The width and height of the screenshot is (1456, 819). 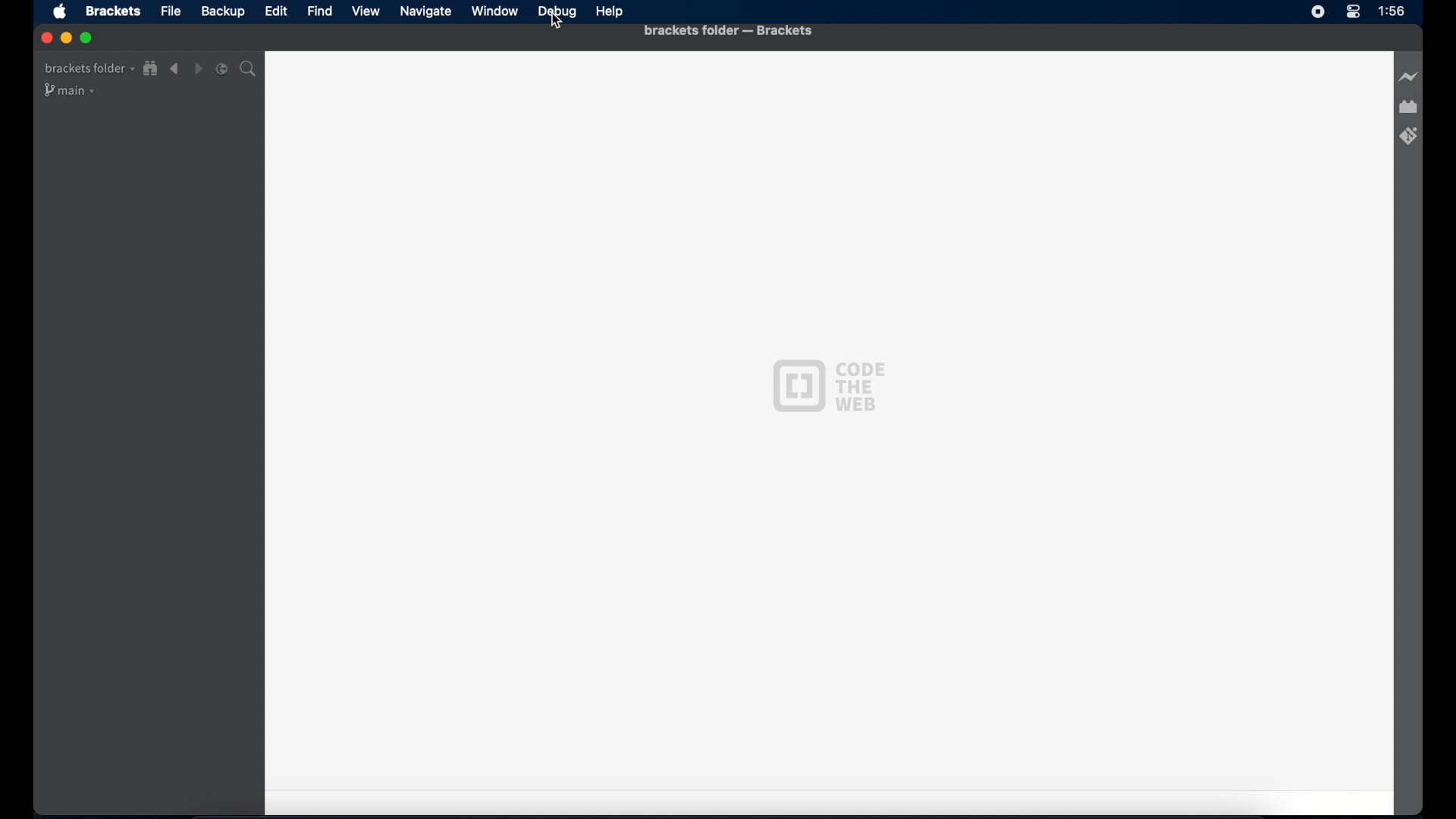 I want to click on brackets, so click(x=114, y=11).